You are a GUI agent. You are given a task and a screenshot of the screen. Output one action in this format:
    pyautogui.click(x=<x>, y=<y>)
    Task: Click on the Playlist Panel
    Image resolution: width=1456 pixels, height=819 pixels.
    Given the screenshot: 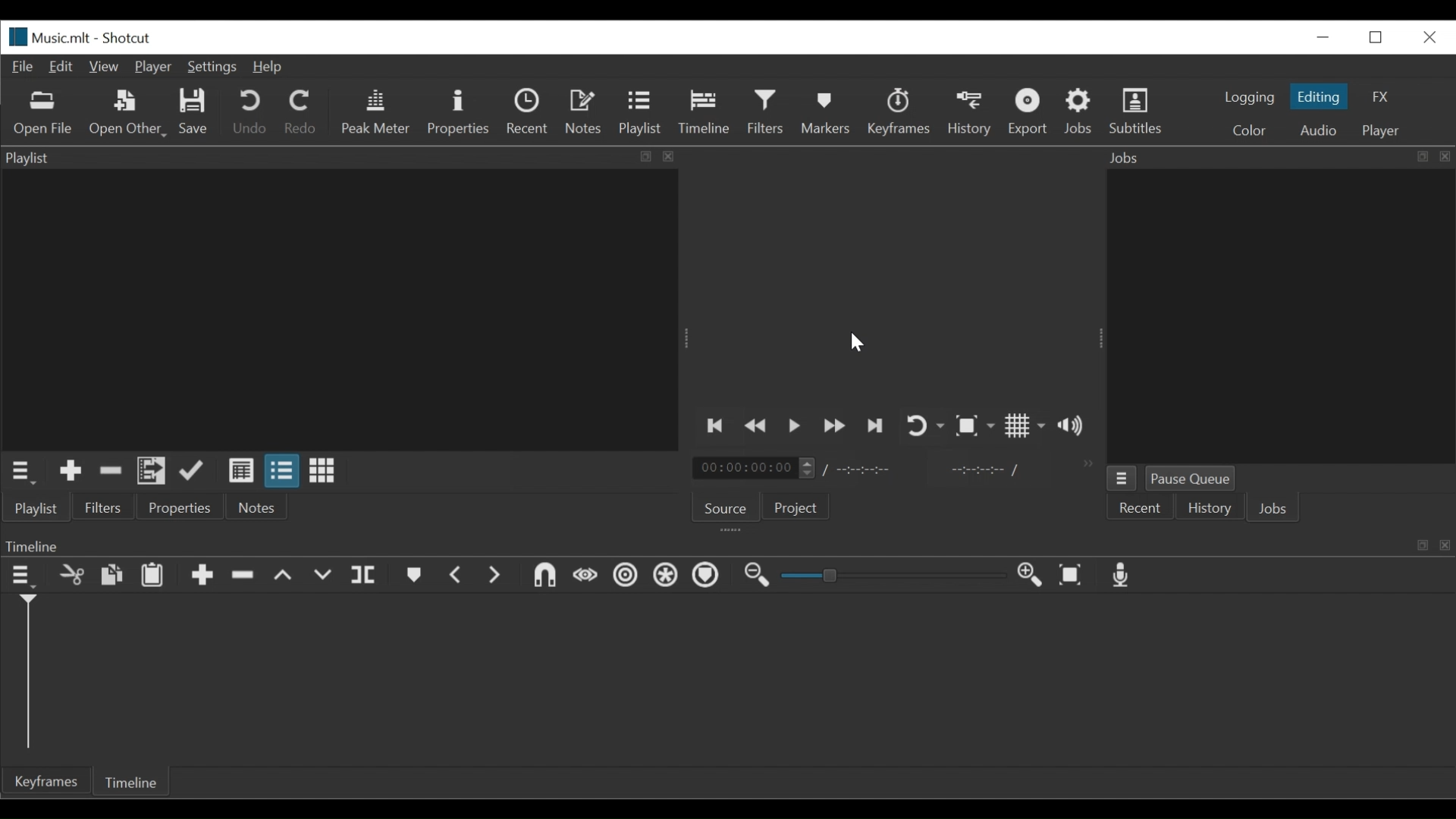 What is the action you would take?
    pyautogui.click(x=340, y=158)
    